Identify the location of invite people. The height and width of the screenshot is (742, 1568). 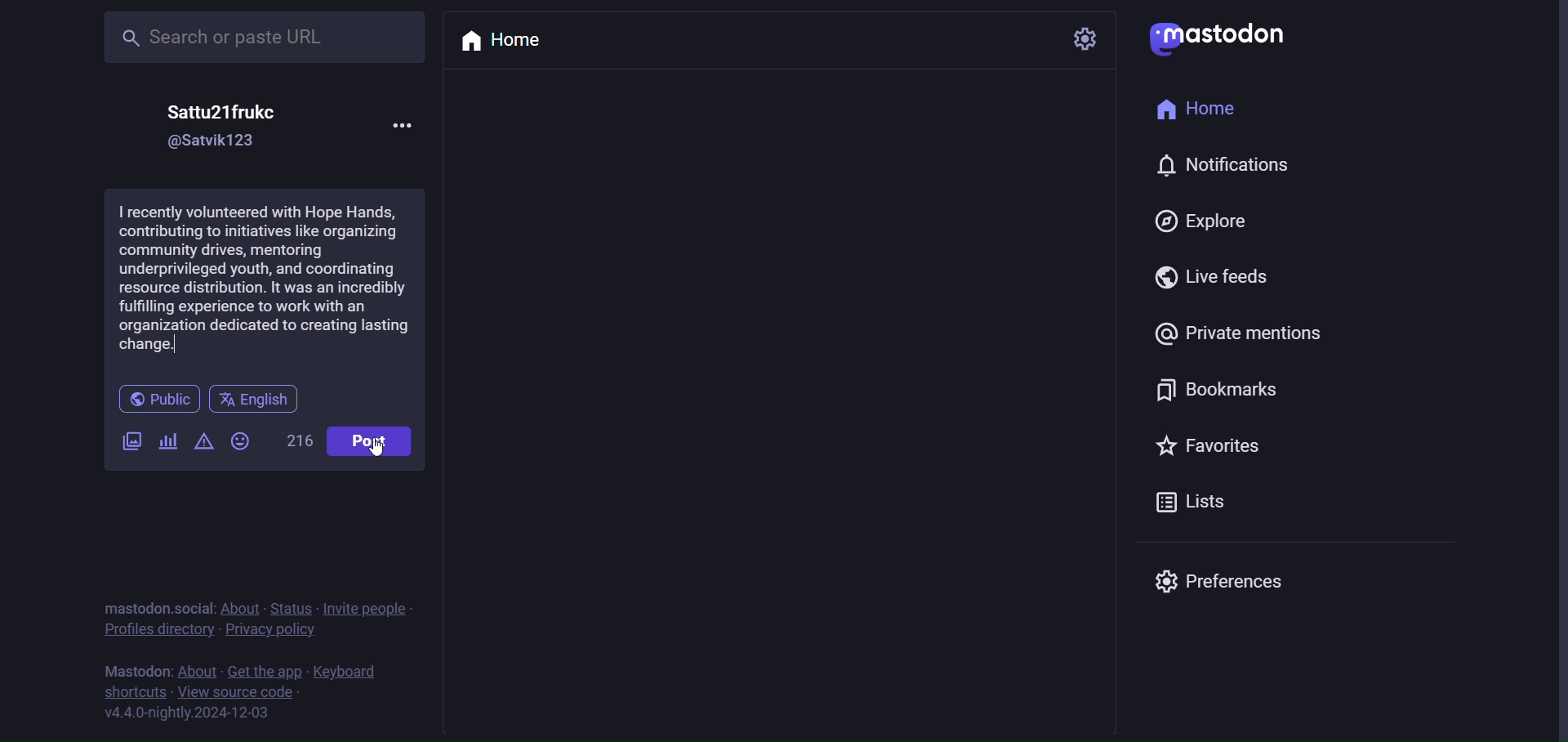
(370, 603).